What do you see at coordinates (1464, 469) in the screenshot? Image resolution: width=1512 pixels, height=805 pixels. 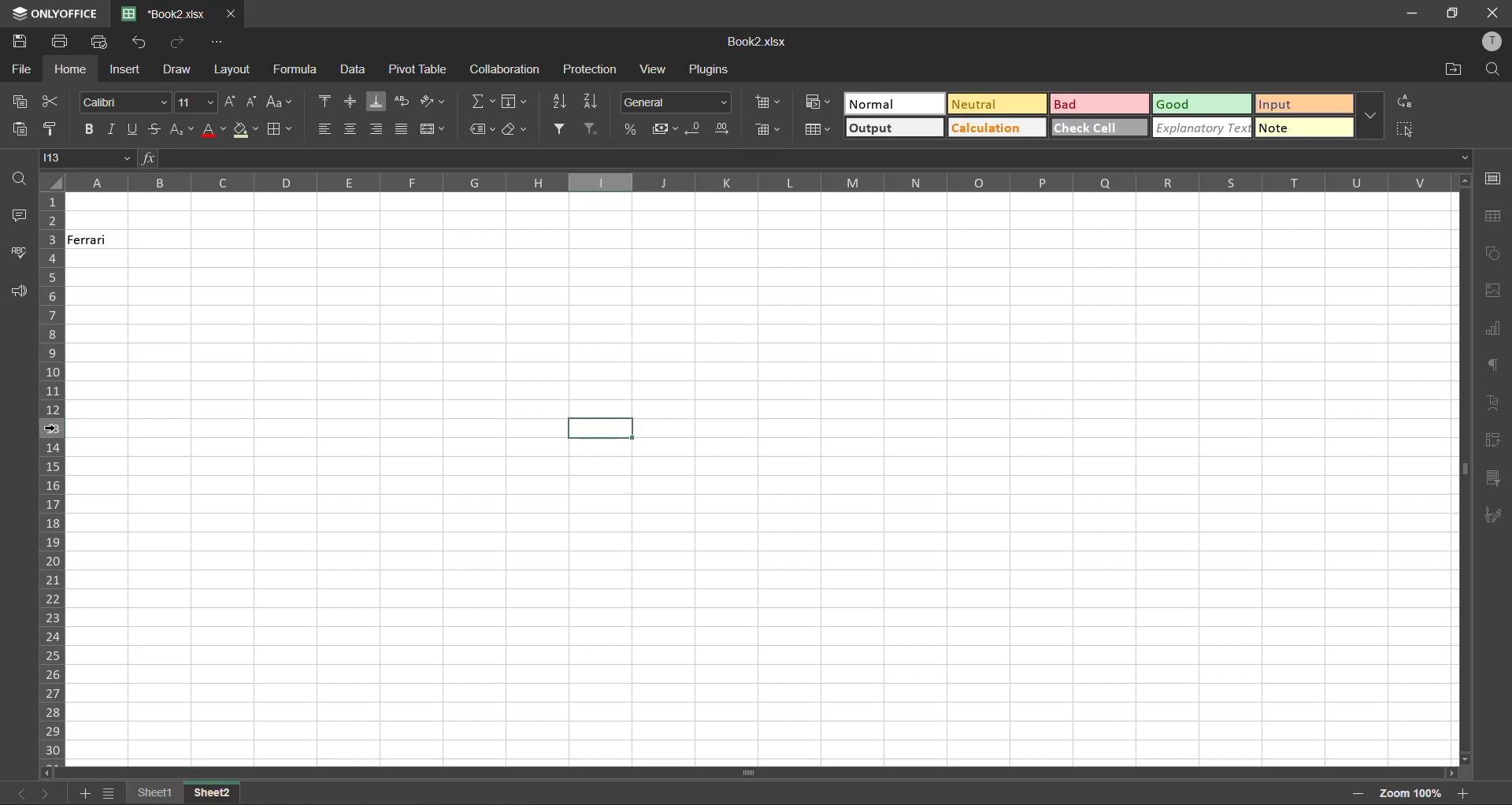 I see `scrollbar` at bounding box center [1464, 469].